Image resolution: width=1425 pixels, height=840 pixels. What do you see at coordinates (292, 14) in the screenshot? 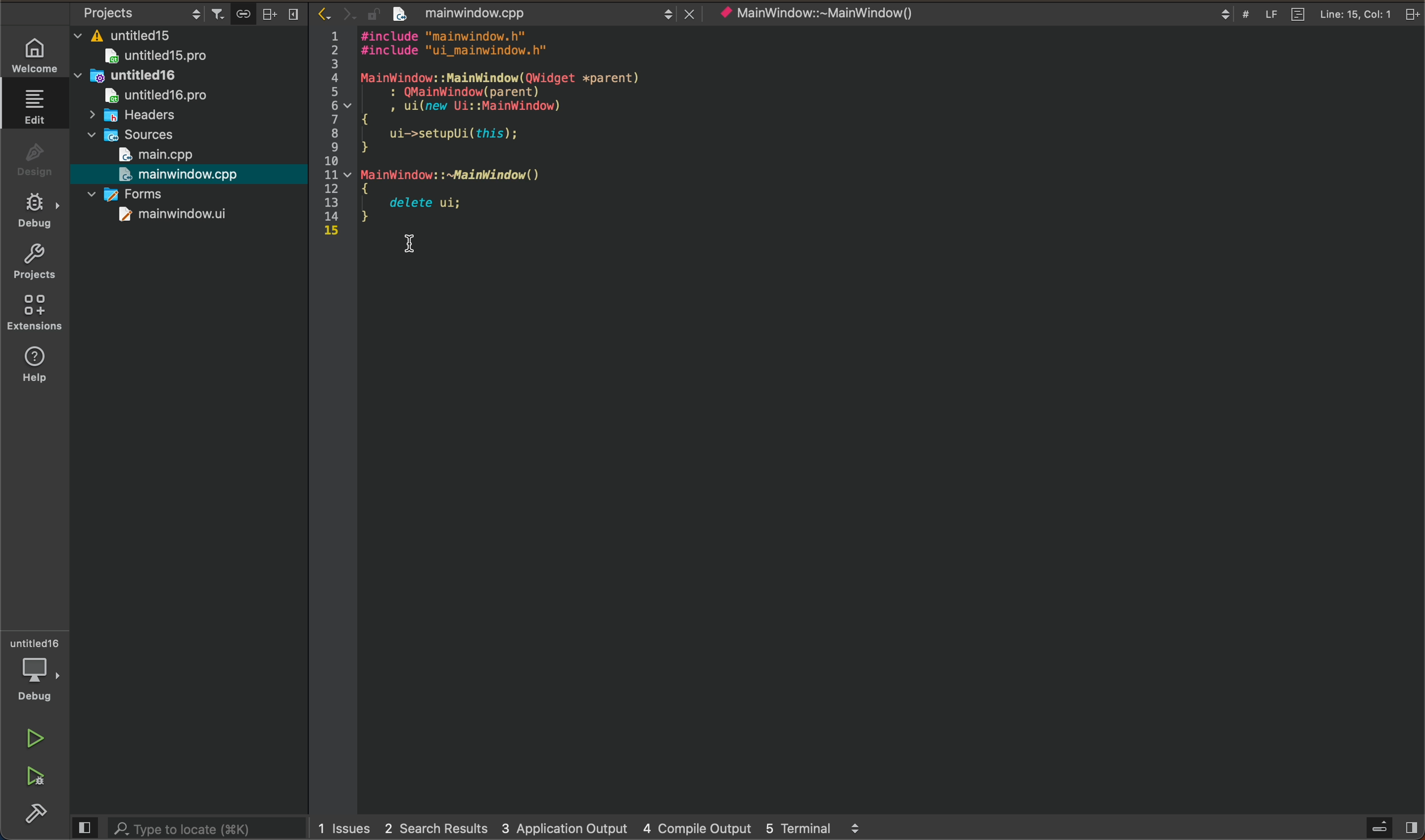
I see `Menu` at bounding box center [292, 14].